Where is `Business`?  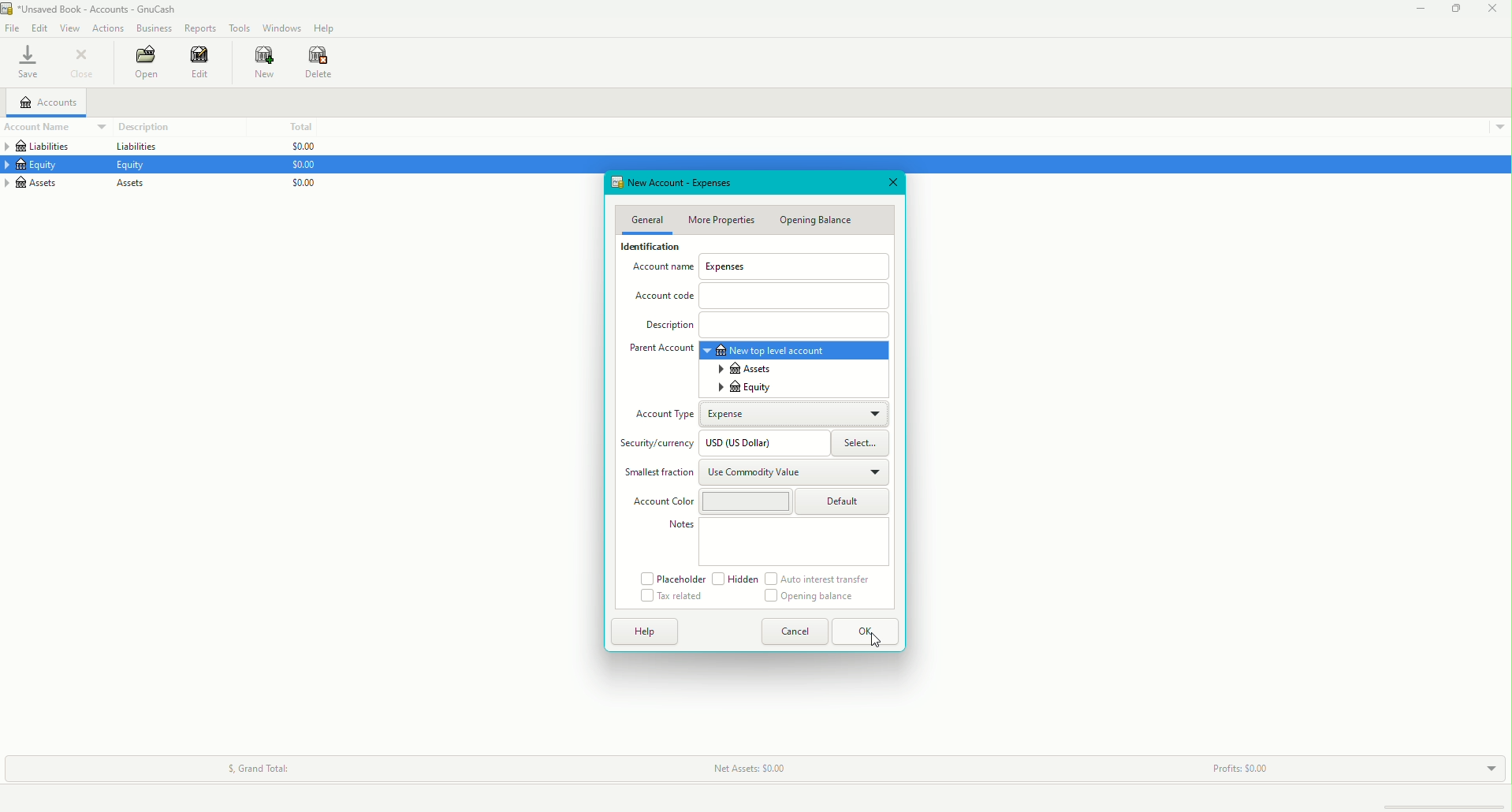
Business is located at coordinates (152, 26).